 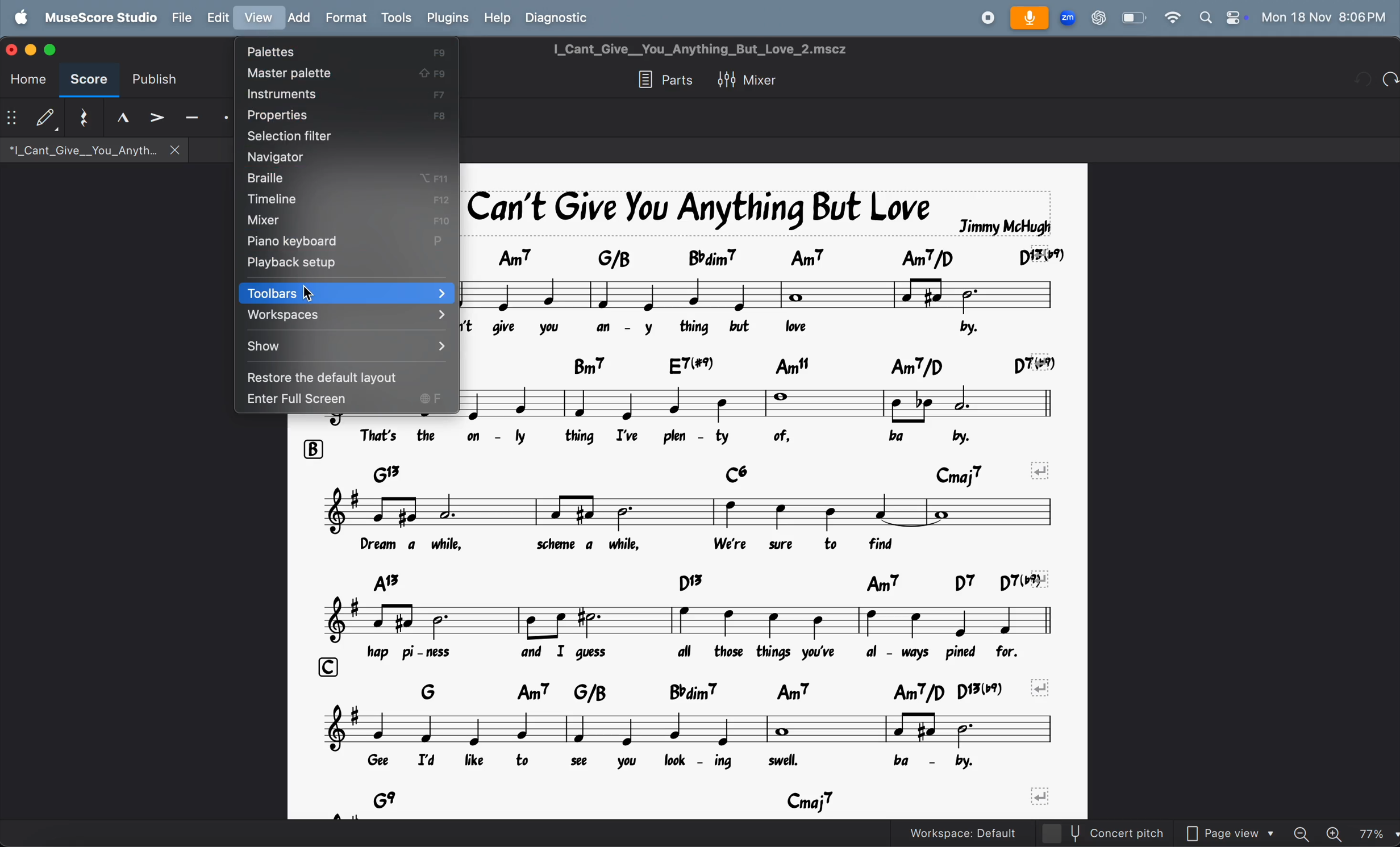 I want to click on parts, so click(x=663, y=80).